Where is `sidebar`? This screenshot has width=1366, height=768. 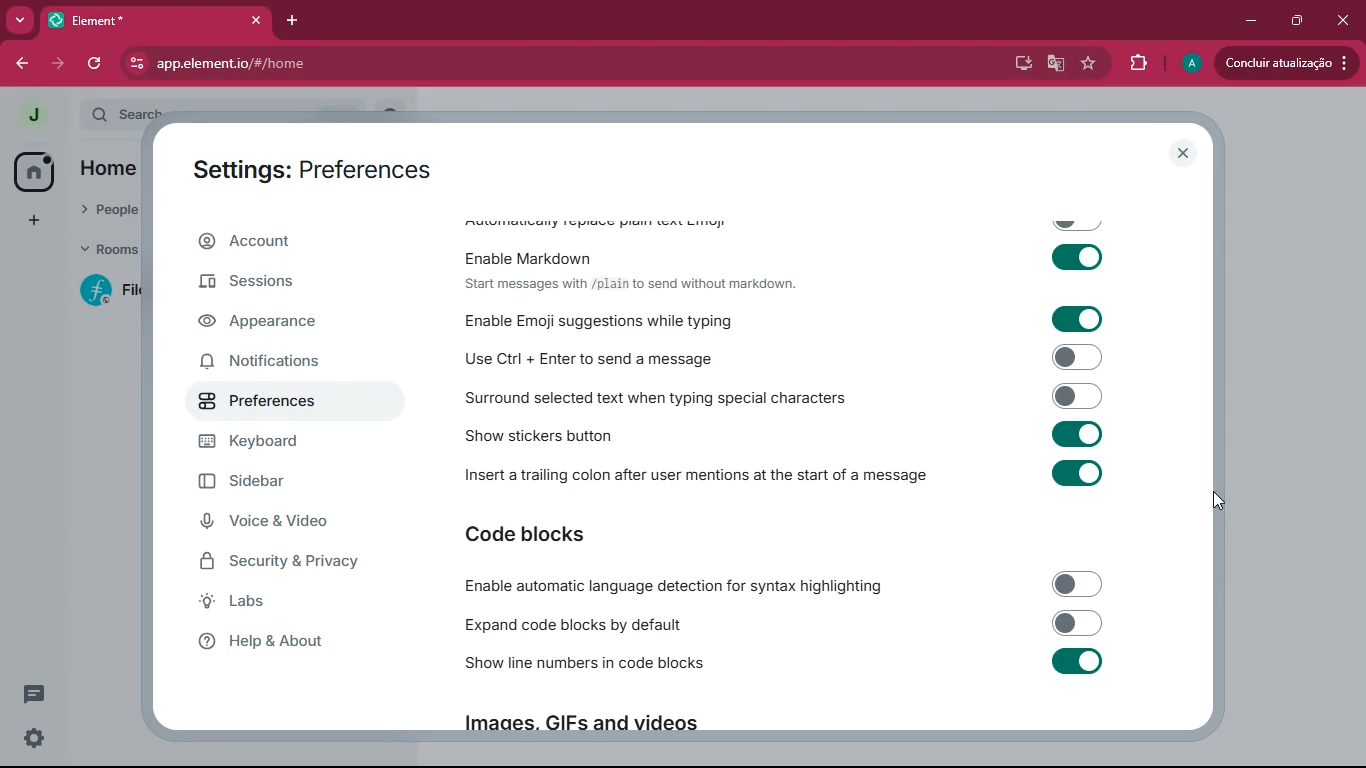 sidebar is located at coordinates (295, 482).